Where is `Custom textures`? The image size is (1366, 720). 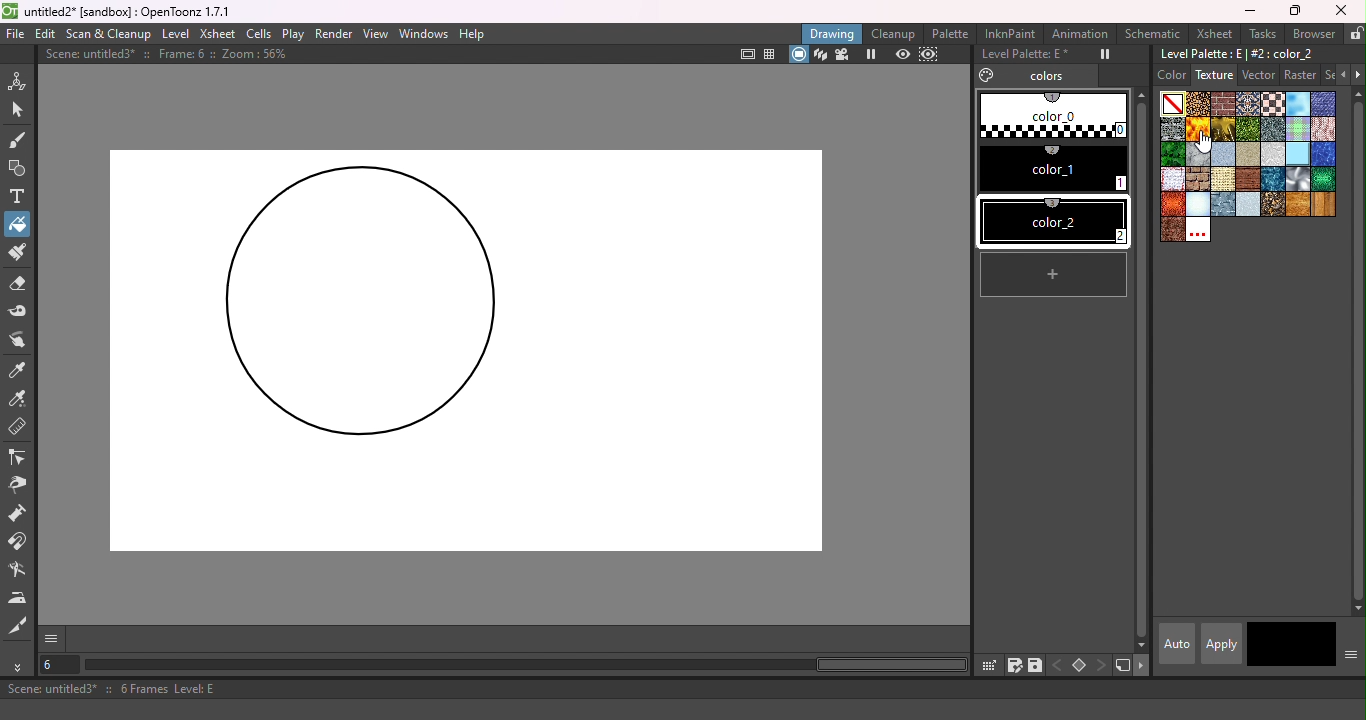
Custom textures is located at coordinates (1199, 231).